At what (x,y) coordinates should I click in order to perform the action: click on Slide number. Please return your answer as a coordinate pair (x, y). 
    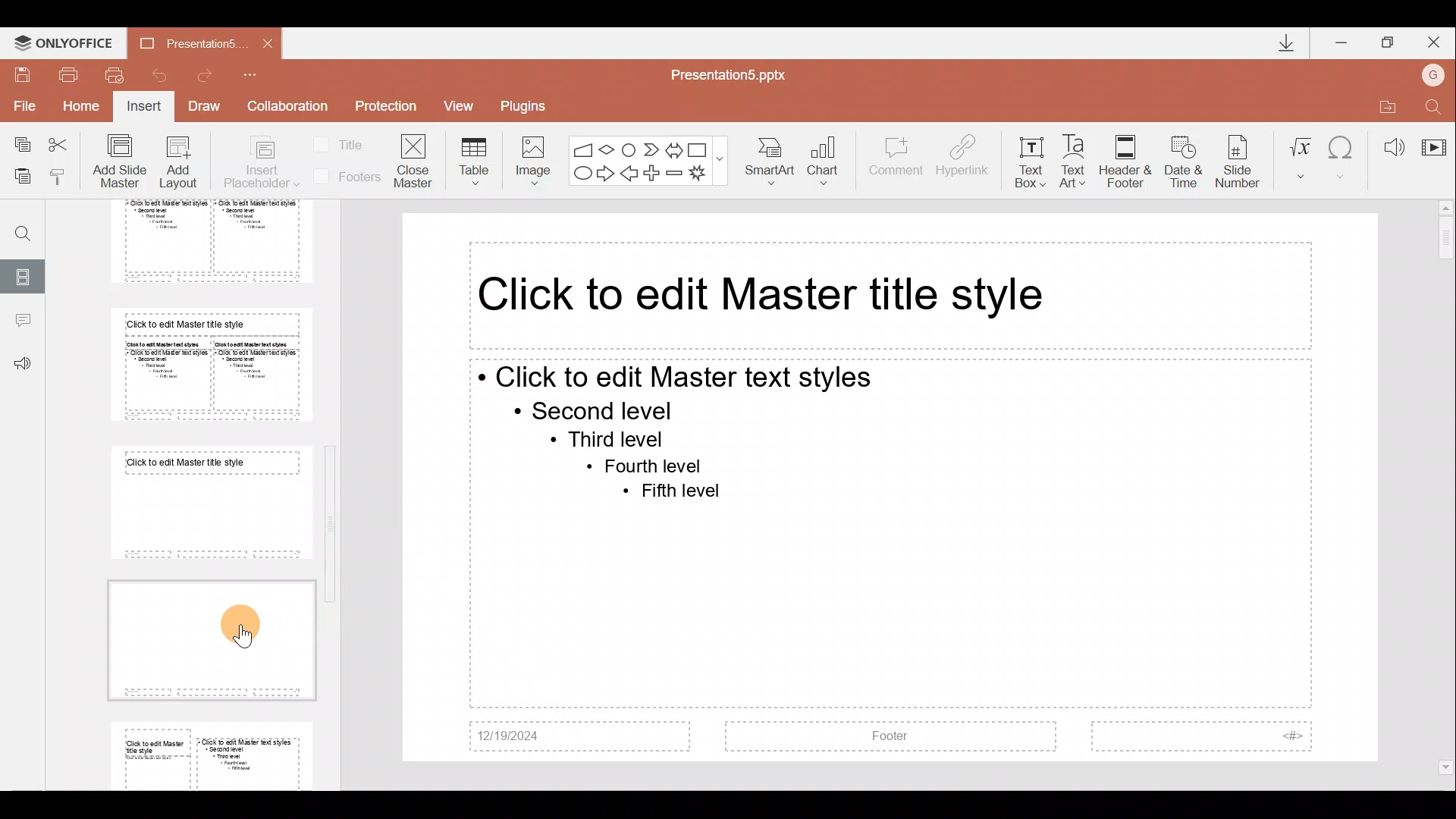
    Looking at the image, I should click on (1241, 158).